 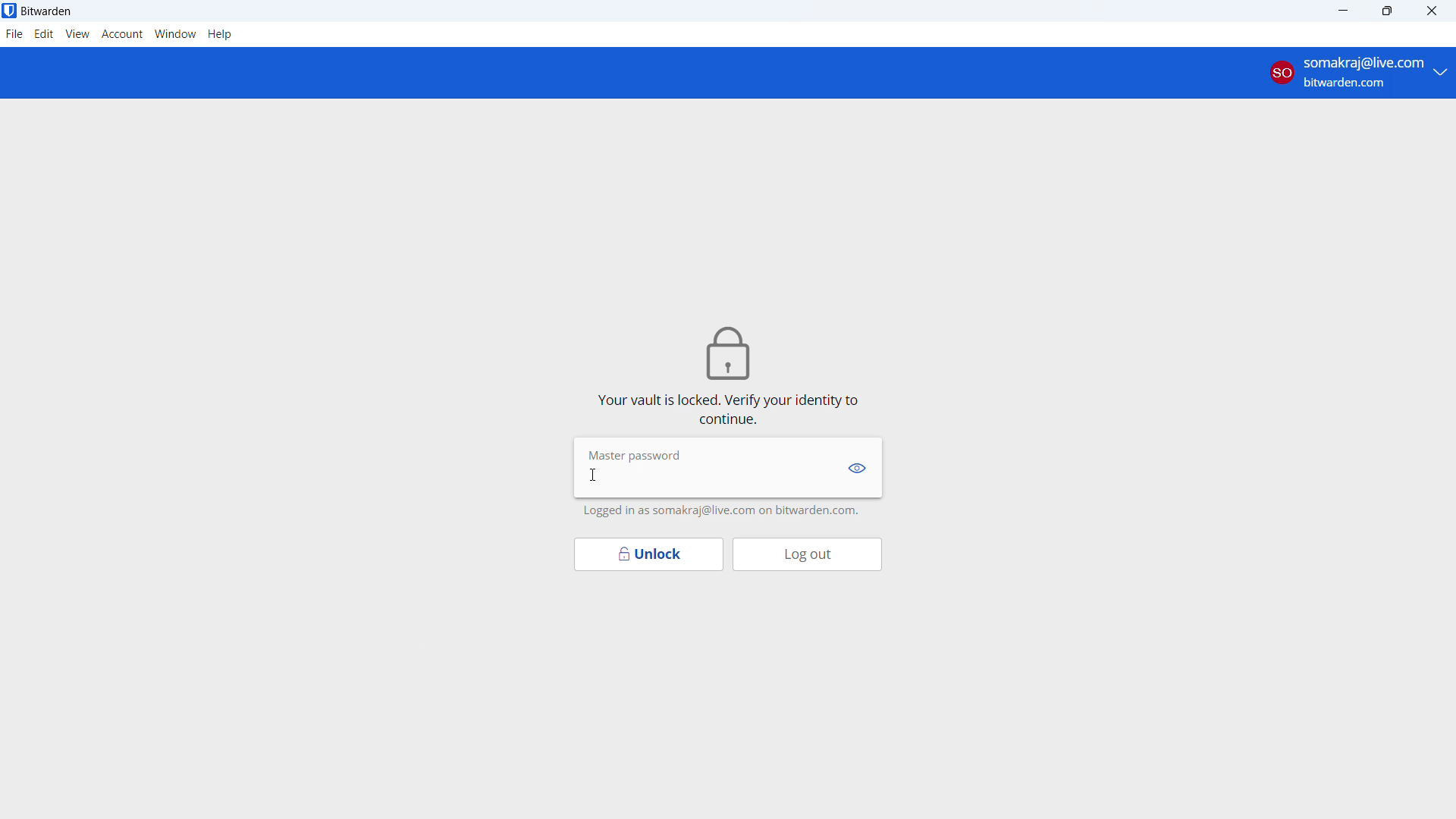 What do you see at coordinates (1359, 72) in the screenshot?
I see `account` at bounding box center [1359, 72].